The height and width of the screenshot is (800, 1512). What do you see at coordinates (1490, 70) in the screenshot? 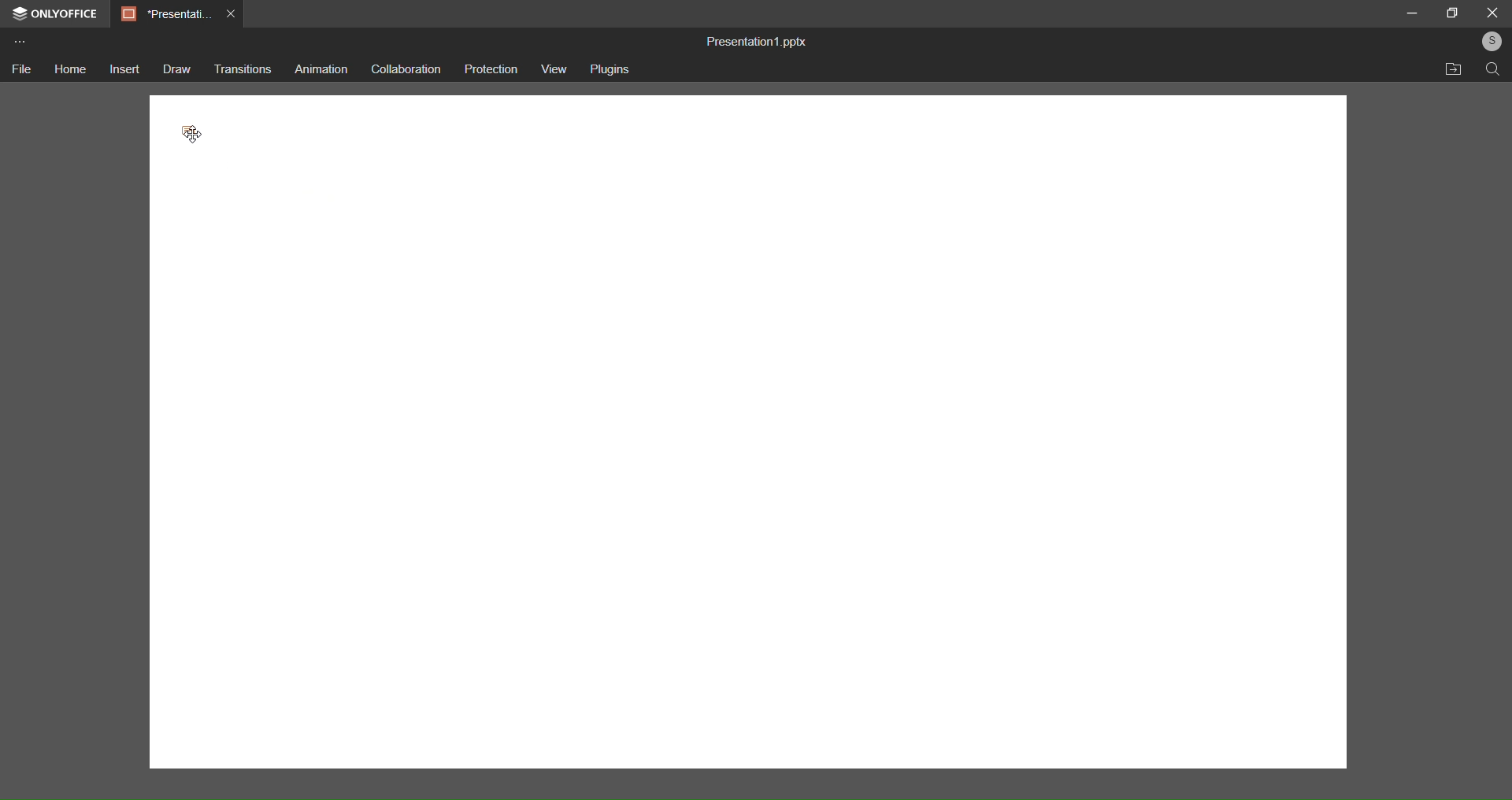
I see `search` at bounding box center [1490, 70].